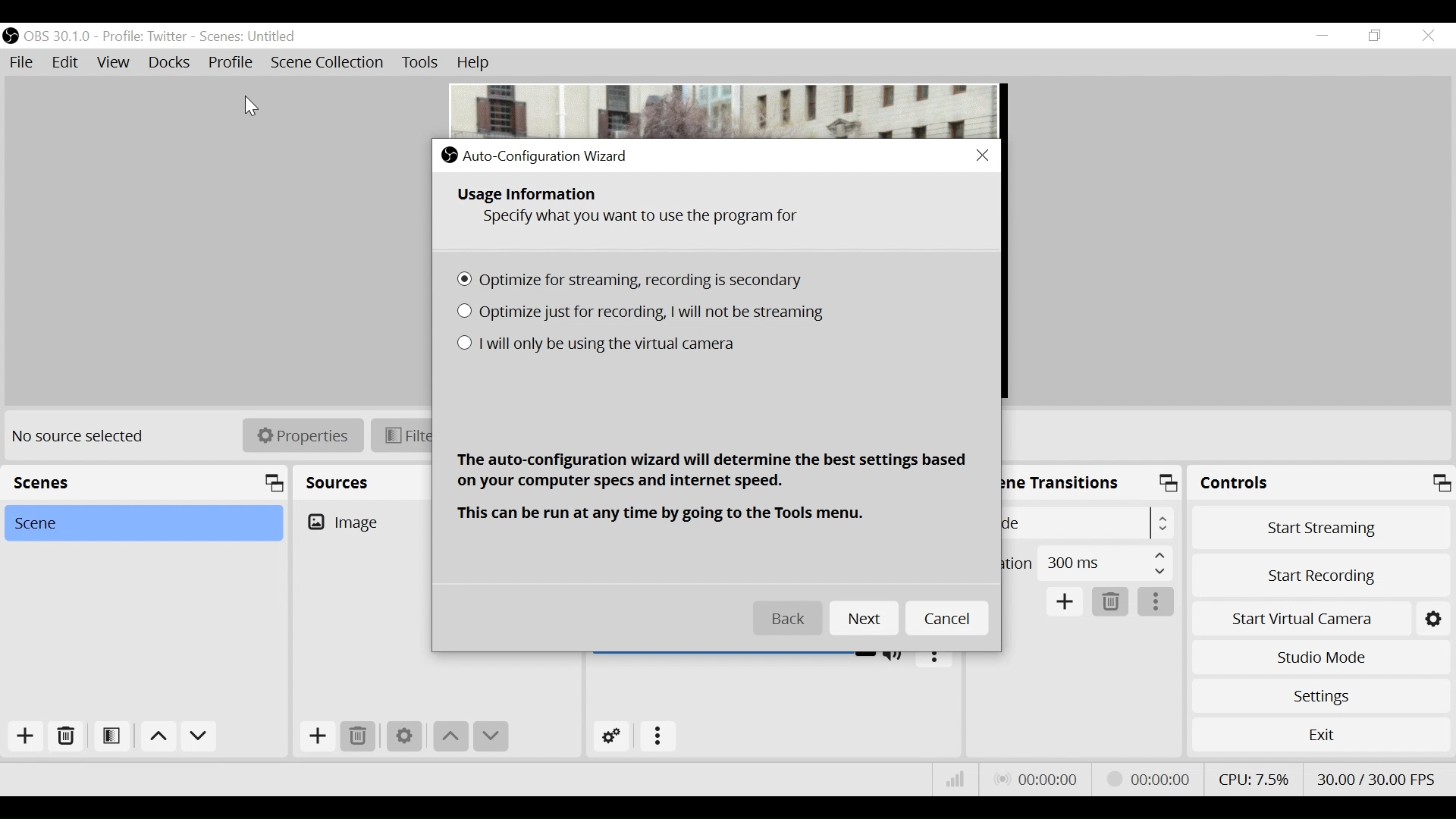 This screenshot has height=819, width=1456. What do you see at coordinates (897, 654) in the screenshot?
I see `(un)mute` at bounding box center [897, 654].